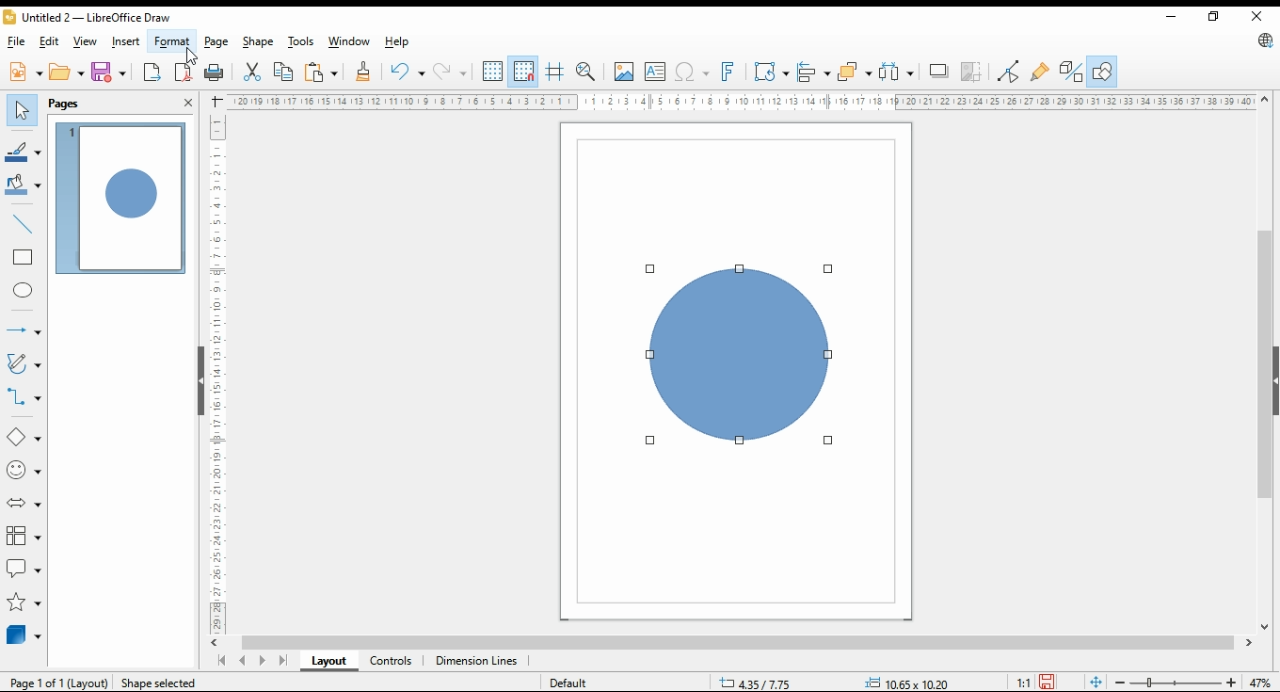 This screenshot has height=692, width=1280. Describe the element at coordinates (24, 225) in the screenshot. I see `insert line` at that location.